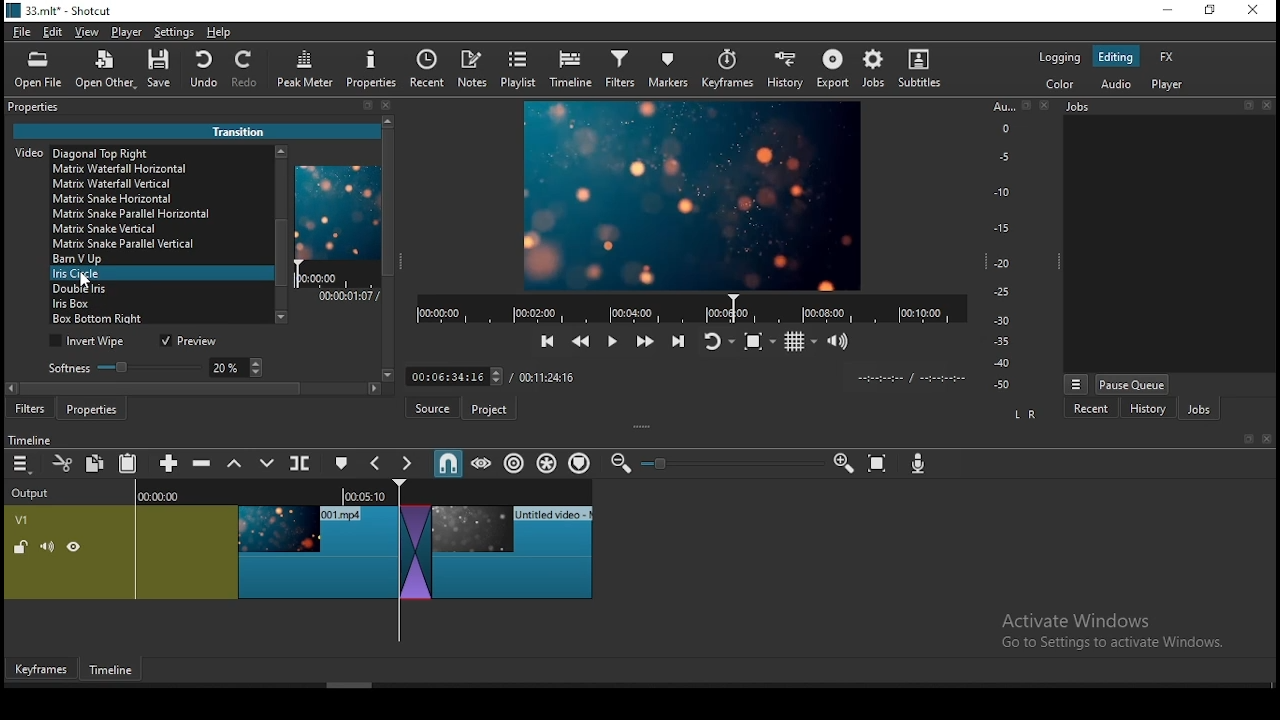  I want to click on properties, so click(96, 409).